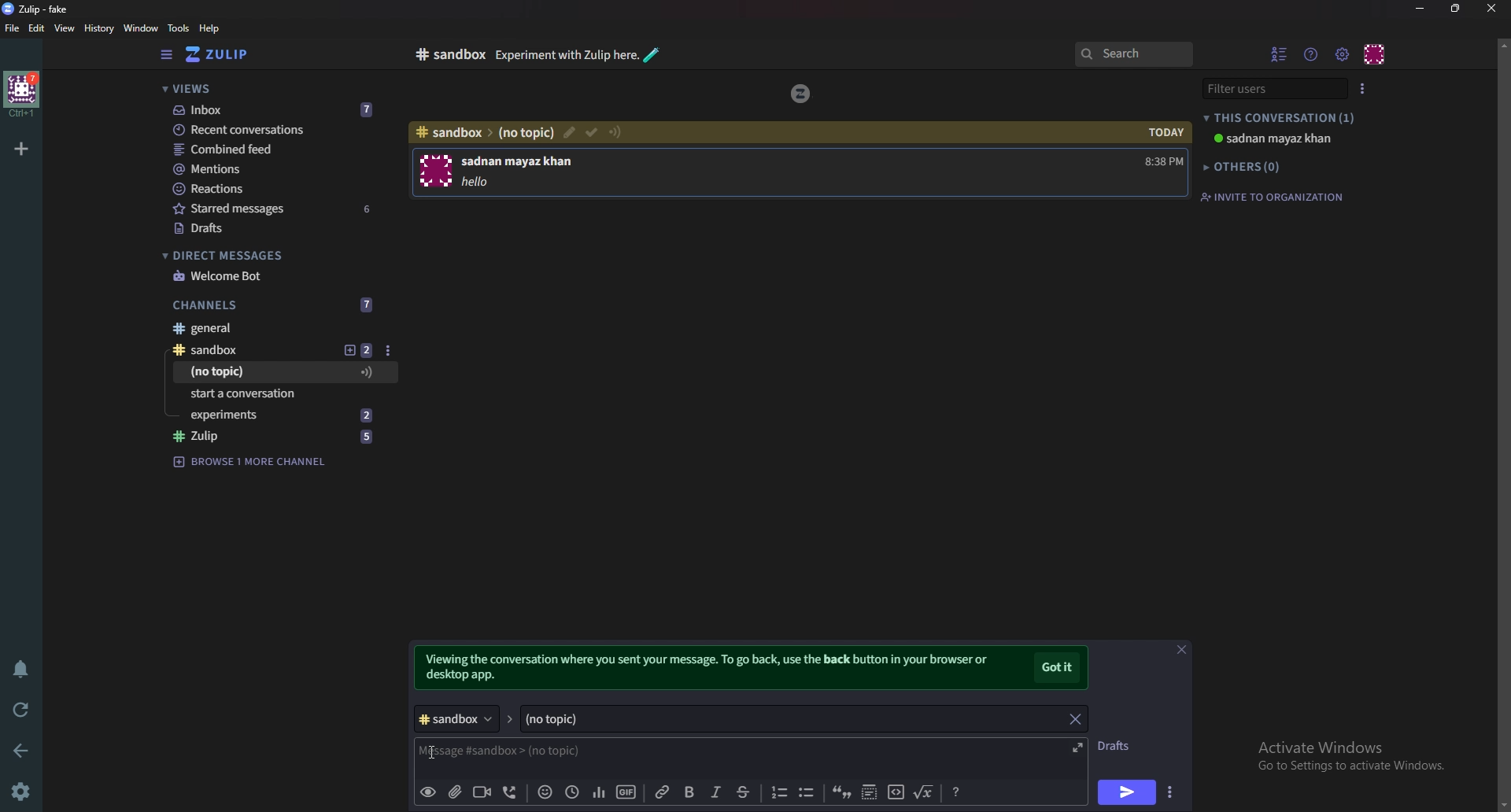 Image resolution: width=1511 pixels, height=812 pixels. Describe the element at coordinates (803, 92) in the screenshot. I see `zulip` at that location.